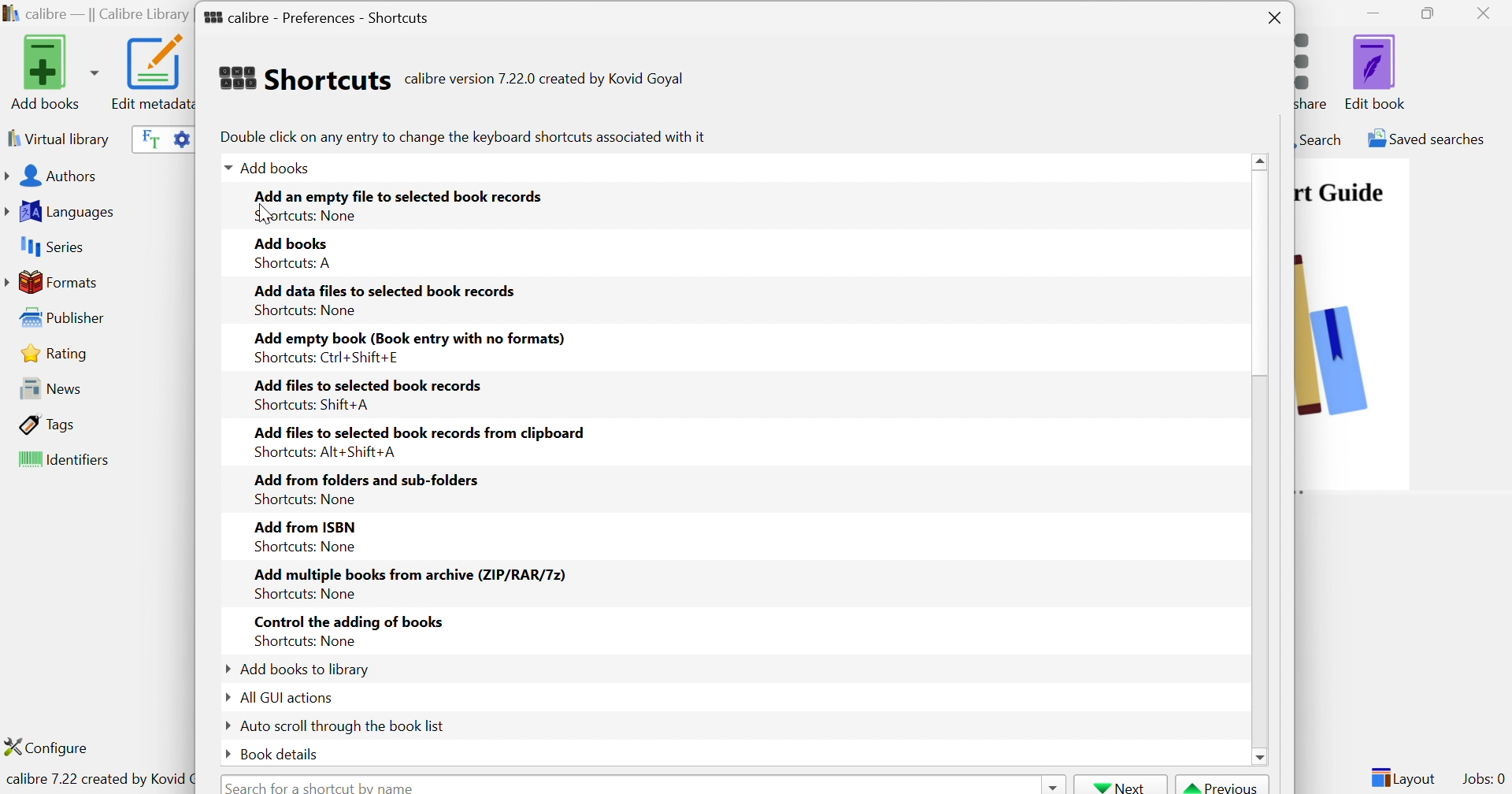  What do you see at coordinates (147, 138) in the screenshot?
I see `Search the full text of all books in the library, not just their metadata` at bounding box center [147, 138].